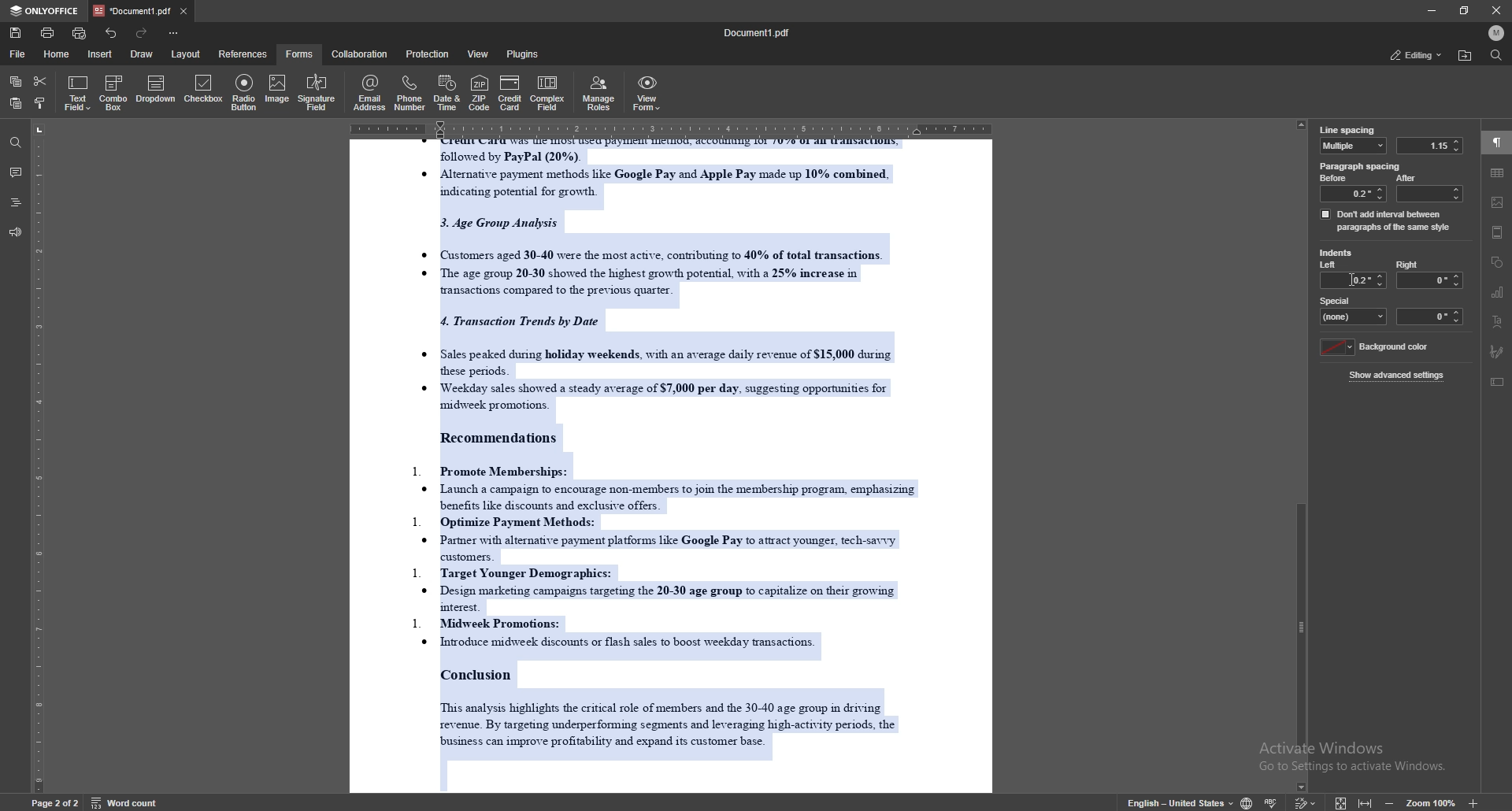 The image size is (1512, 811). I want to click on email address, so click(370, 92).